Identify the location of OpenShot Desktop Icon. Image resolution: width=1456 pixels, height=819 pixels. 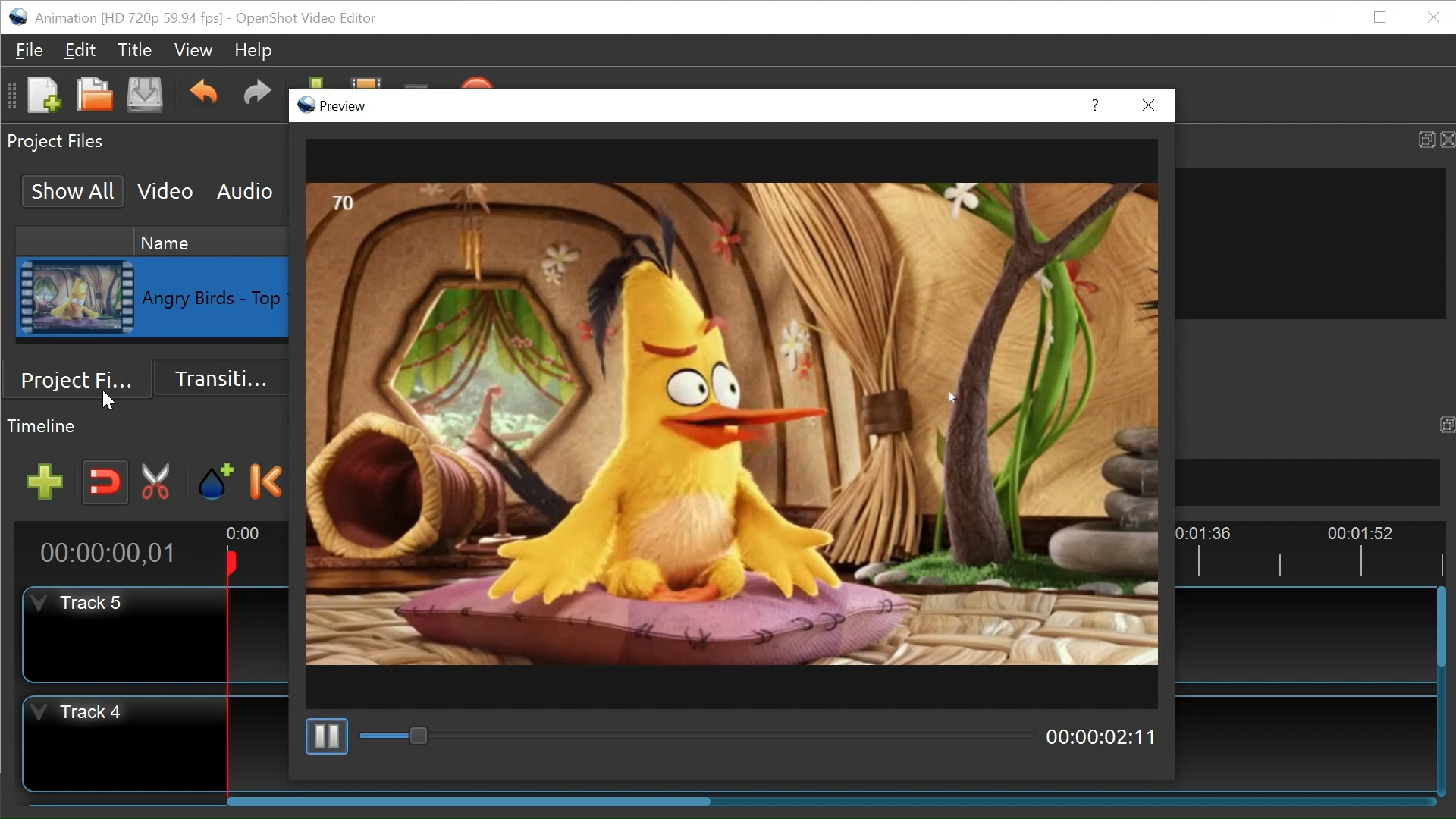
(17, 17).